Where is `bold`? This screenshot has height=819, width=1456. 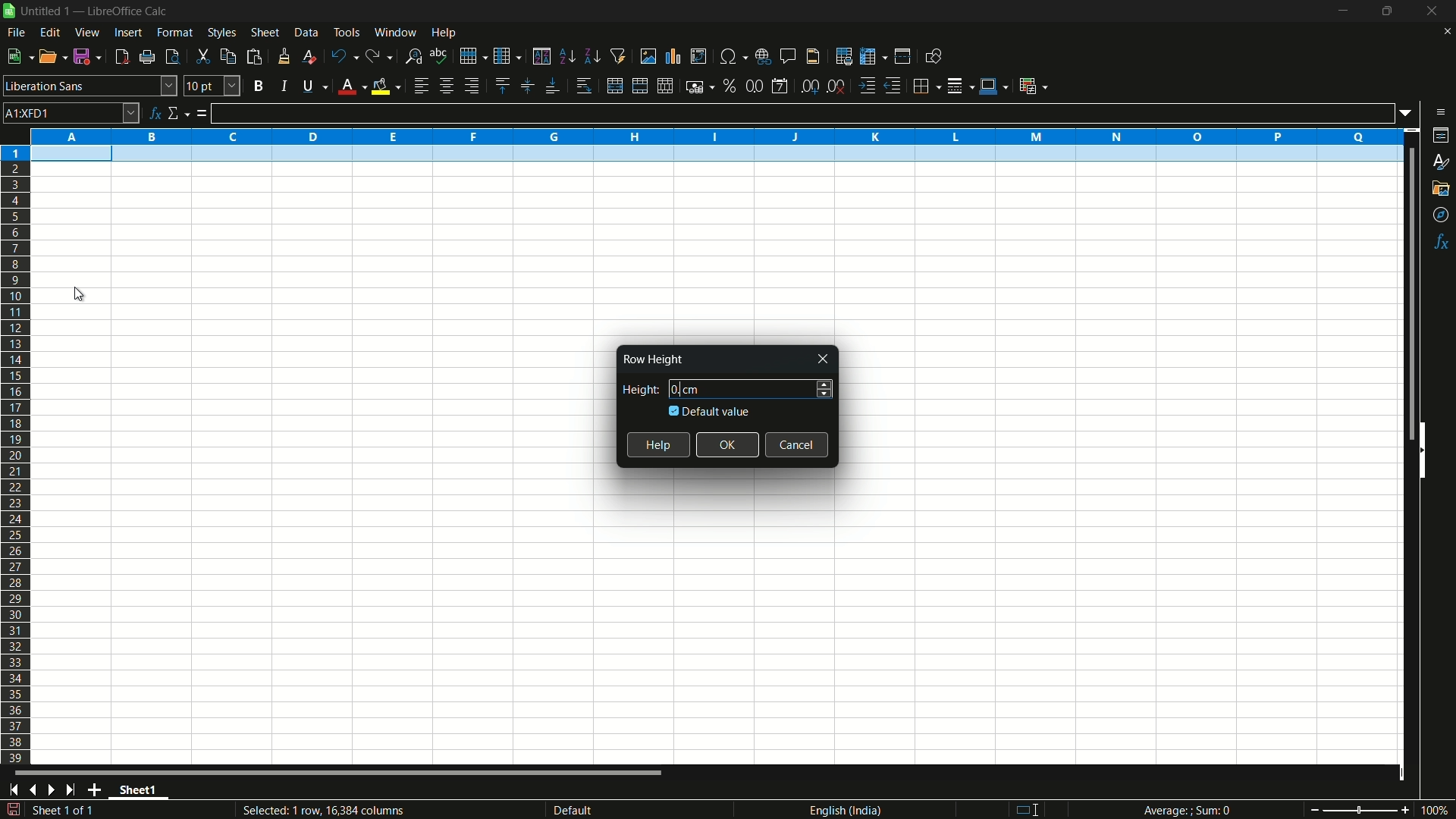
bold is located at coordinates (258, 85).